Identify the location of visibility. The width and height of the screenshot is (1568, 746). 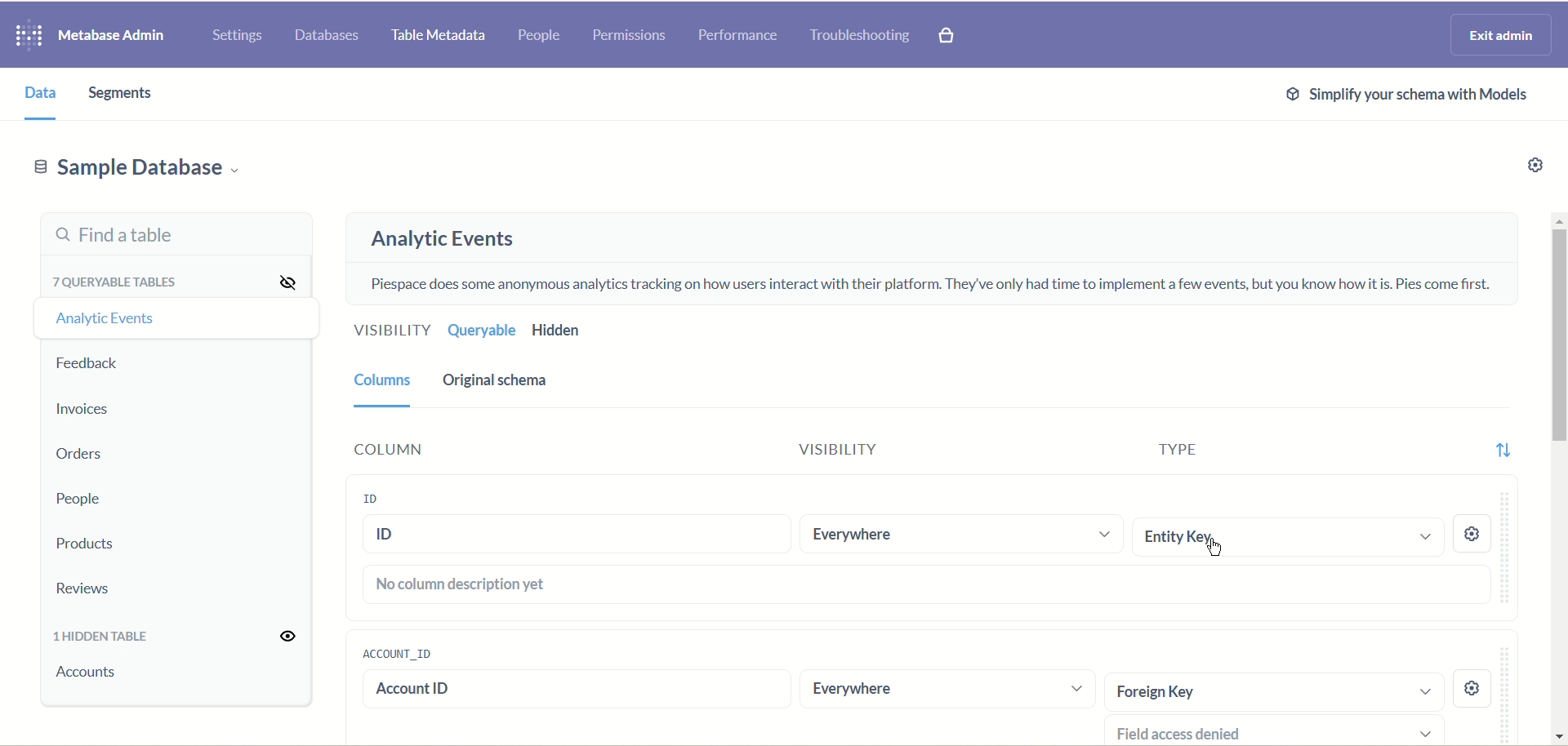
(292, 637).